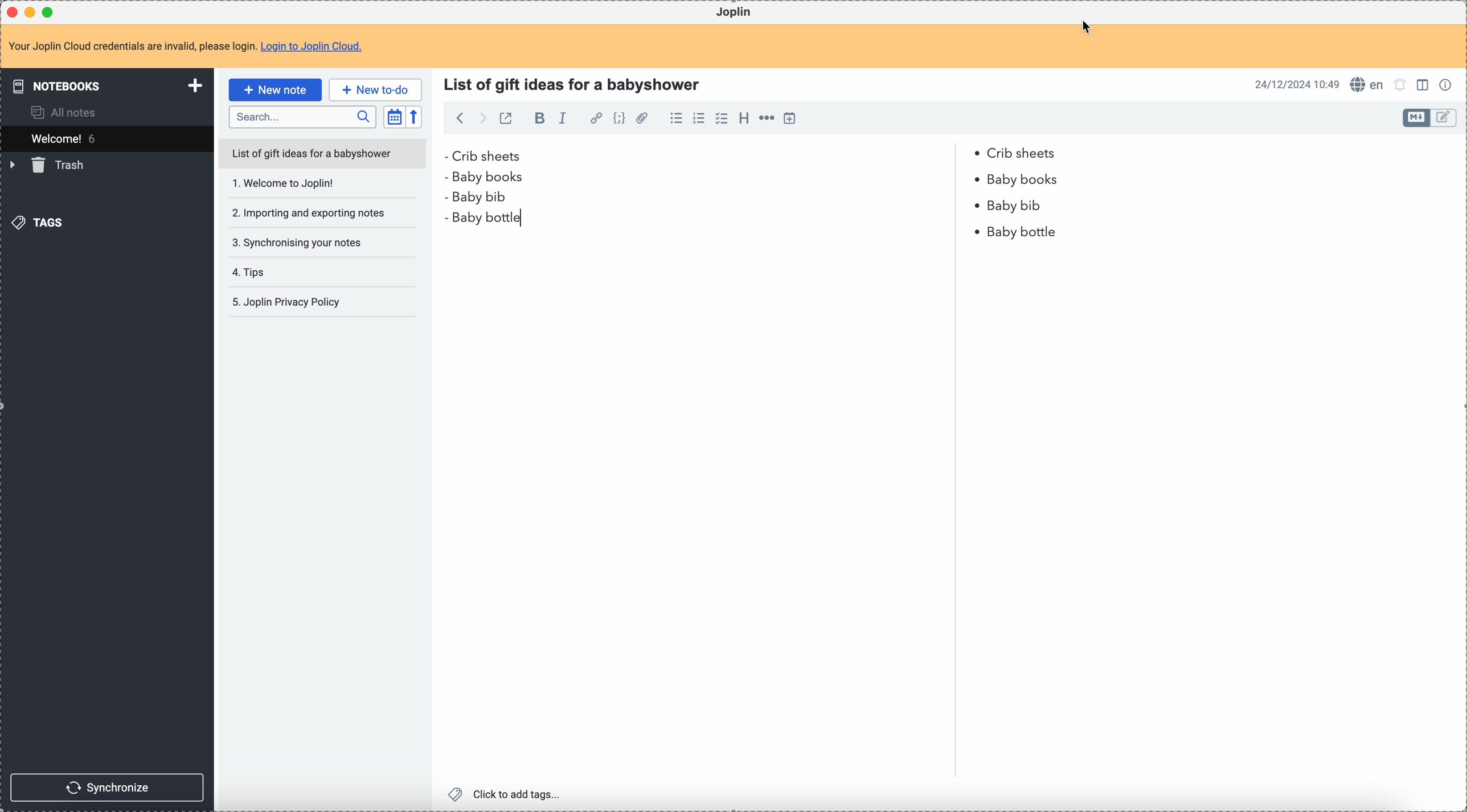 The image size is (1467, 812). What do you see at coordinates (290, 304) in the screenshot?
I see `joplin privacy policy` at bounding box center [290, 304].